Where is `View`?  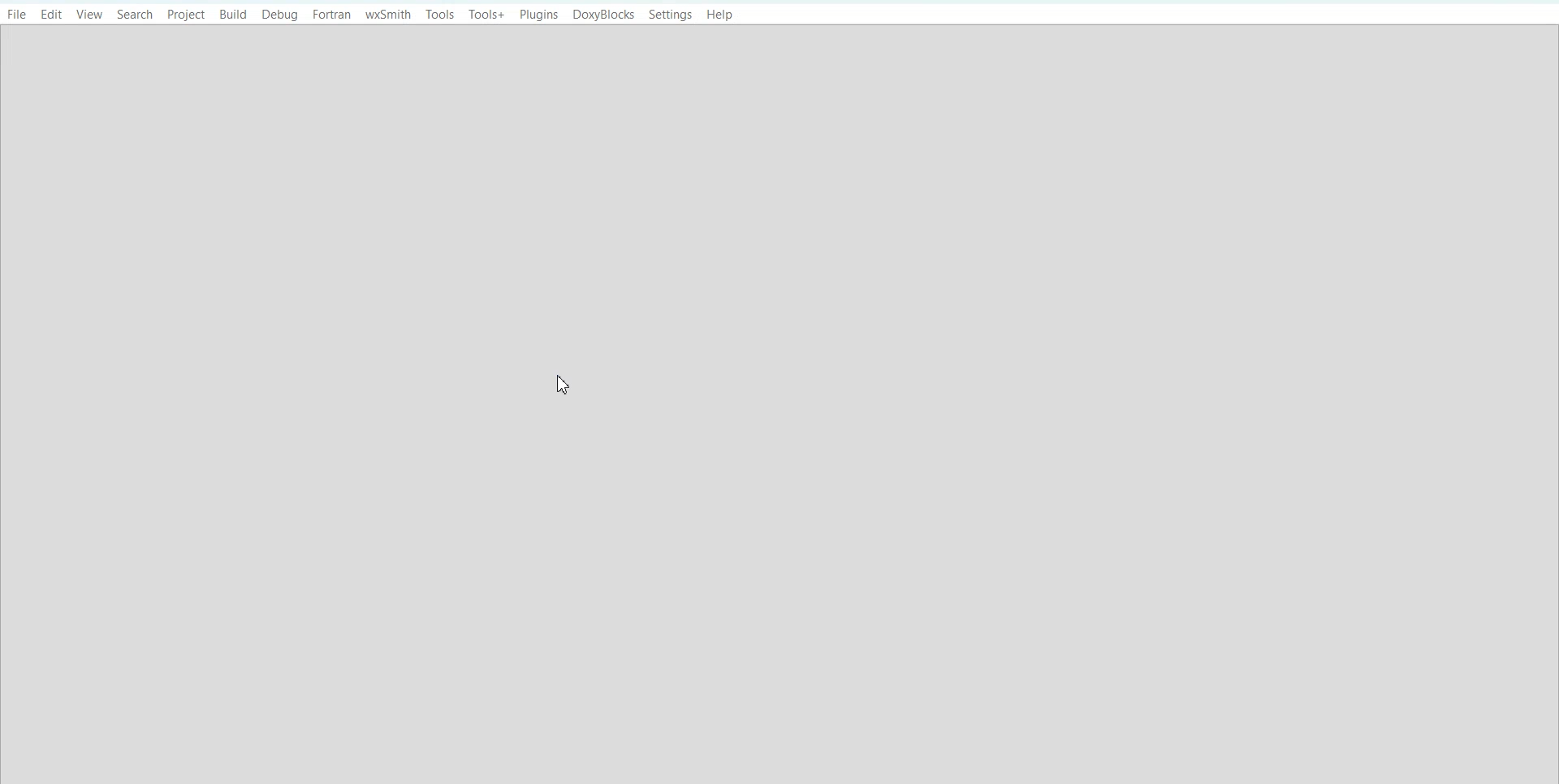
View is located at coordinates (90, 14).